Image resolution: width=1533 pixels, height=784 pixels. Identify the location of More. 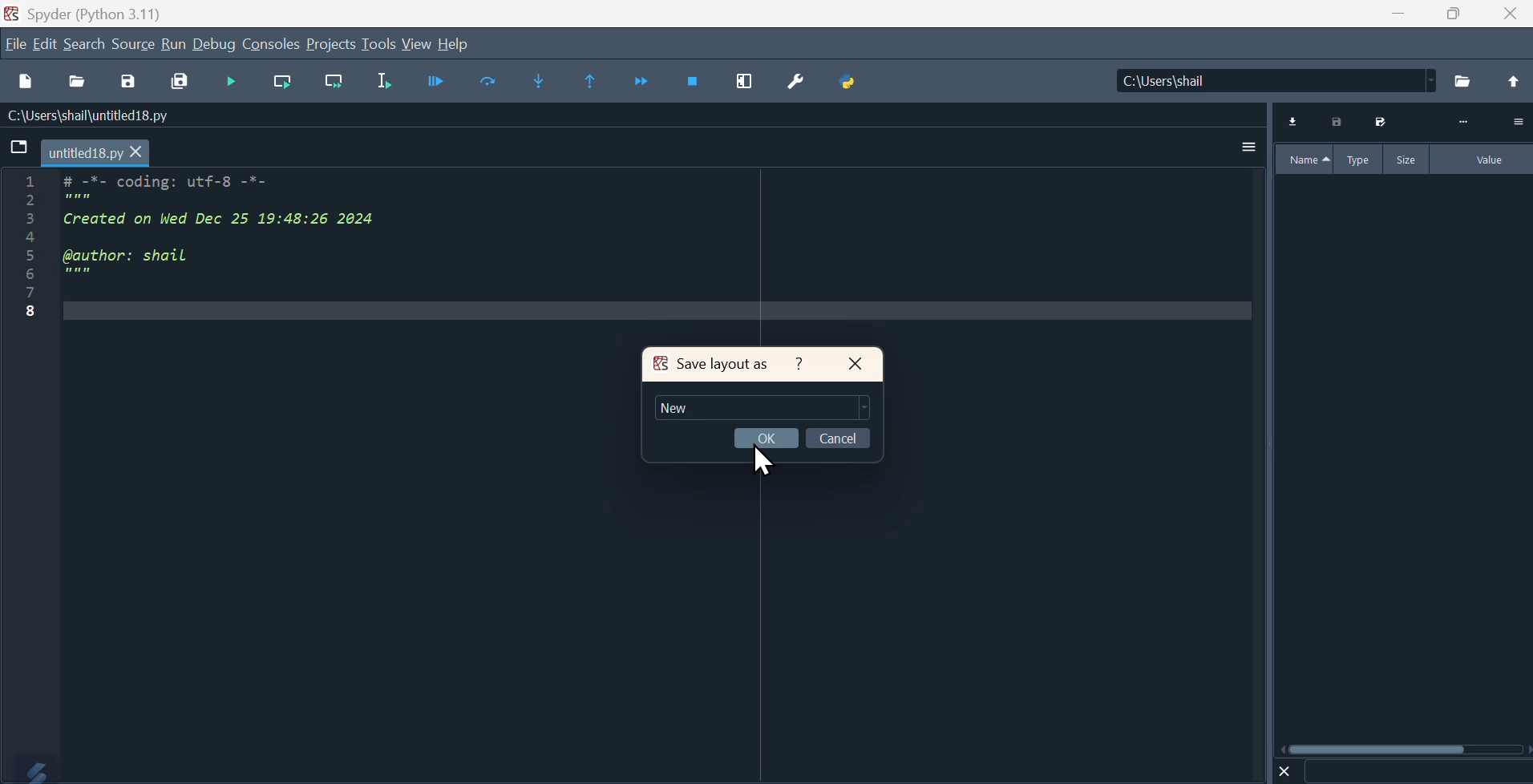
(1463, 123).